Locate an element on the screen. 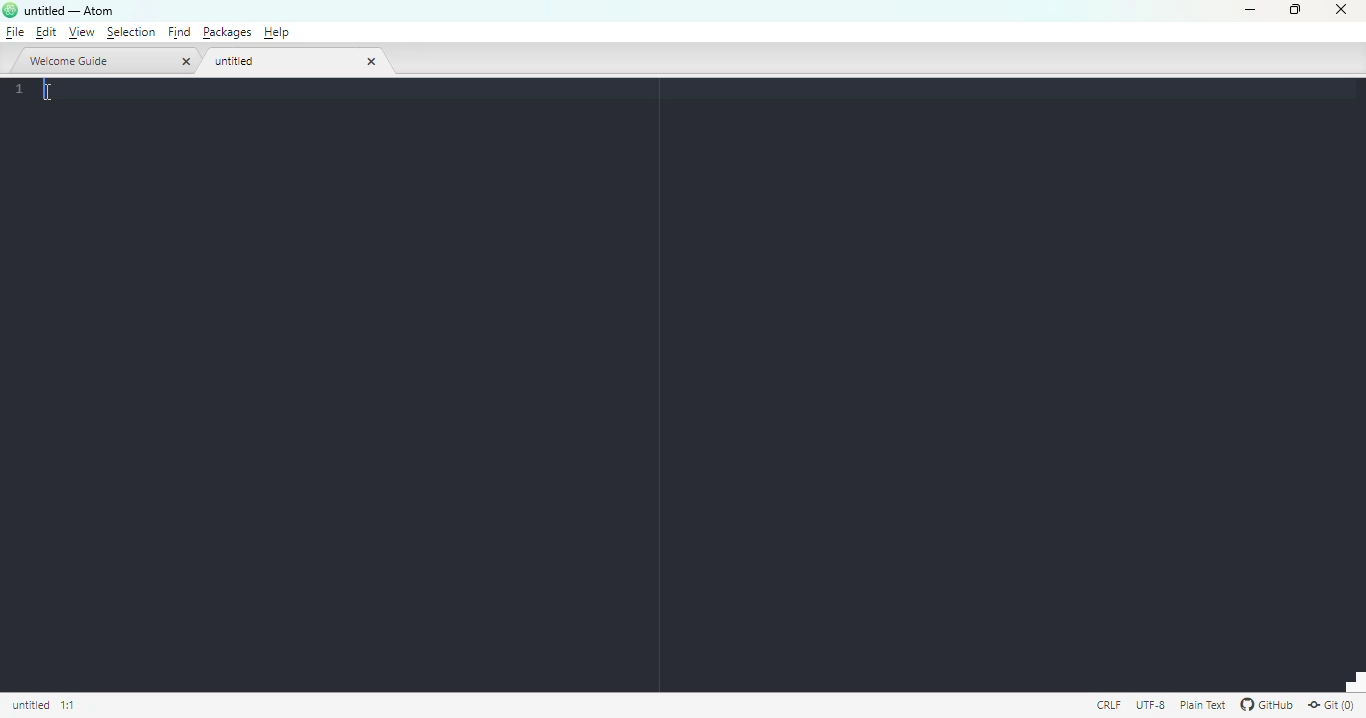 This screenshot has width=1366, height=718. help is located at coordinates (277, 32).